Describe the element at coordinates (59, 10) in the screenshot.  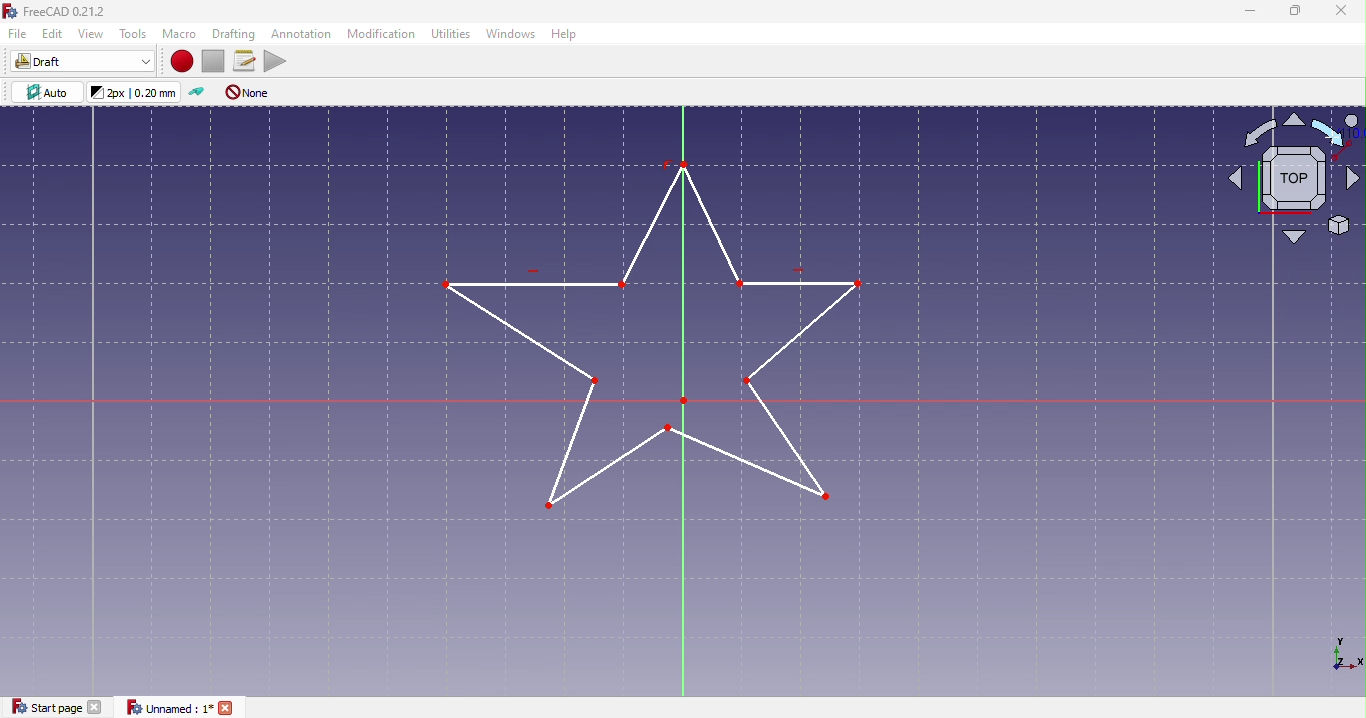
I see `FreeCAD 0212` at that location.